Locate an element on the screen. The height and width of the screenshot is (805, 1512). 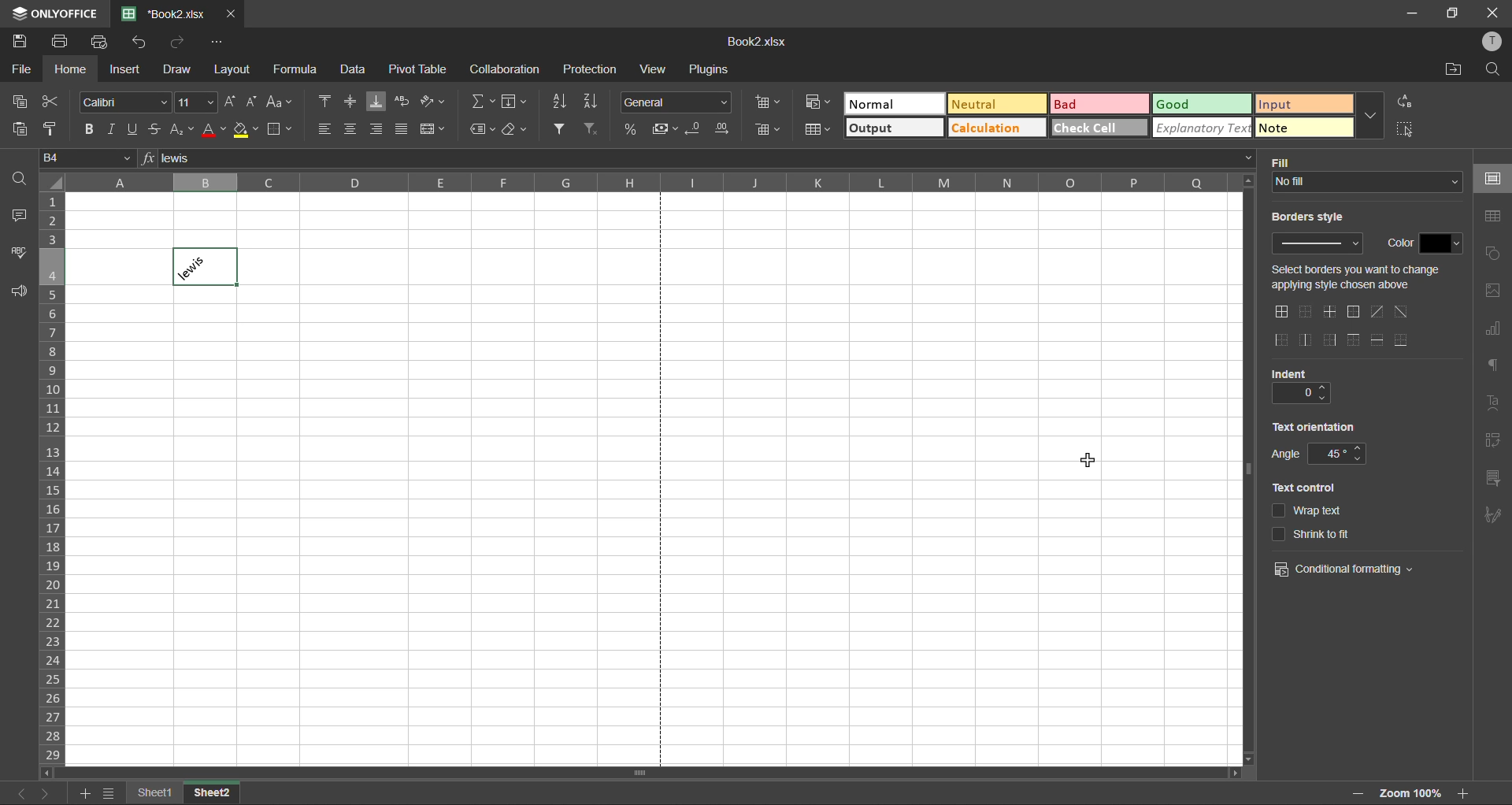
angle is located at coordinates (1284, 456).